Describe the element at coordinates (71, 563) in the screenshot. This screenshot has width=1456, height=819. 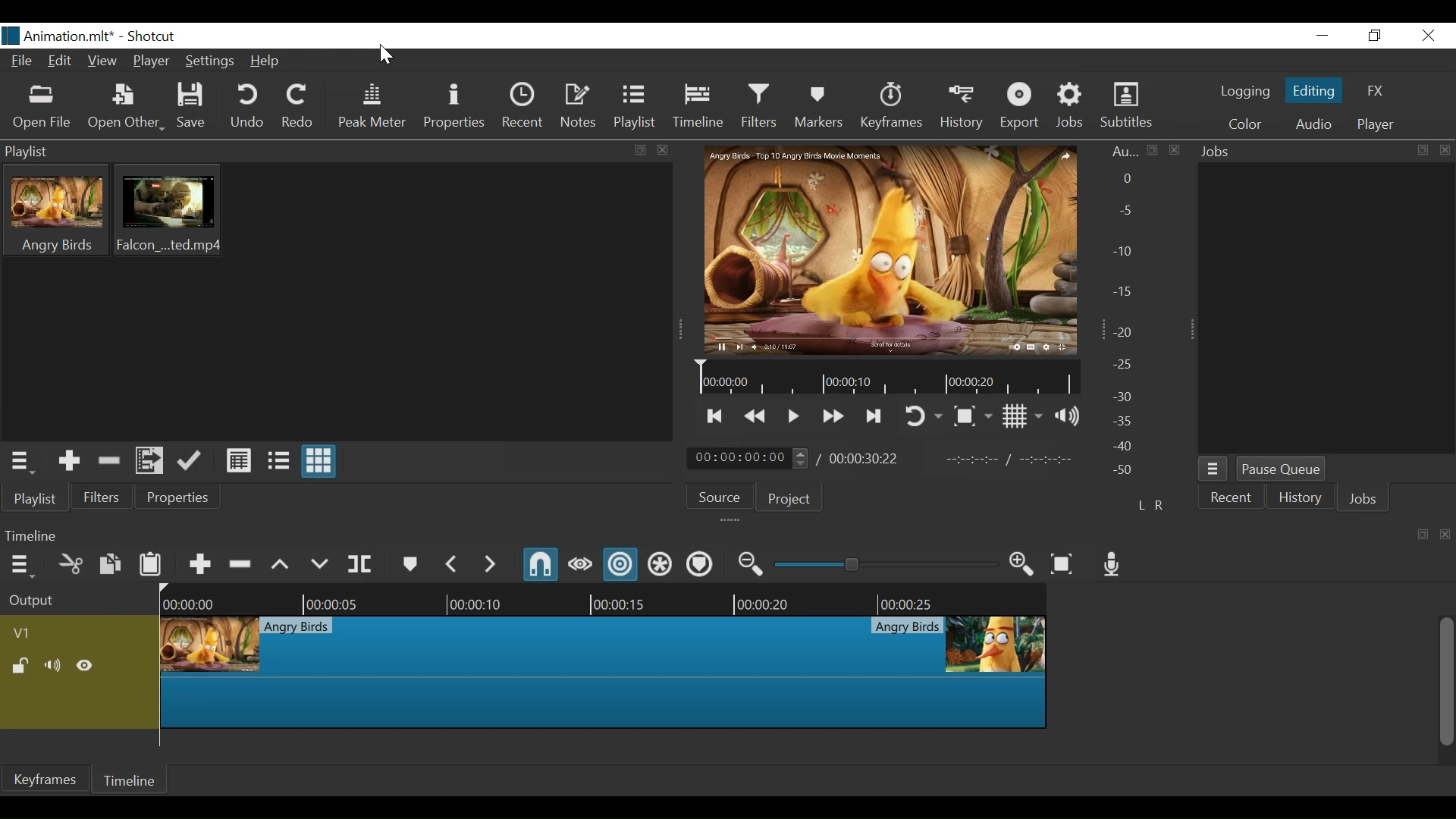
I see `Cut` at that location.